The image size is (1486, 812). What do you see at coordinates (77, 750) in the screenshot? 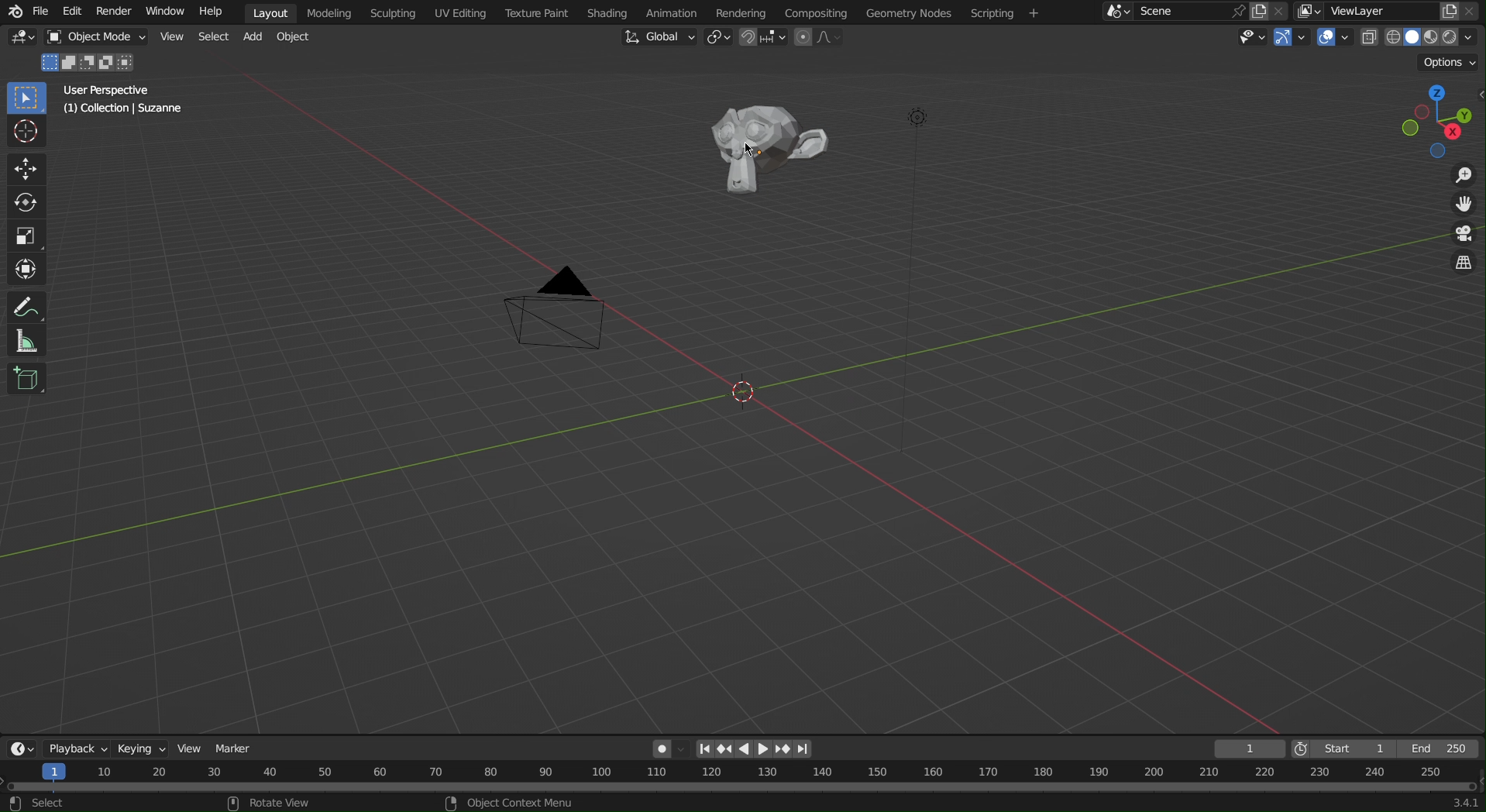
I see `Playback` at bounding box center [77, 750].